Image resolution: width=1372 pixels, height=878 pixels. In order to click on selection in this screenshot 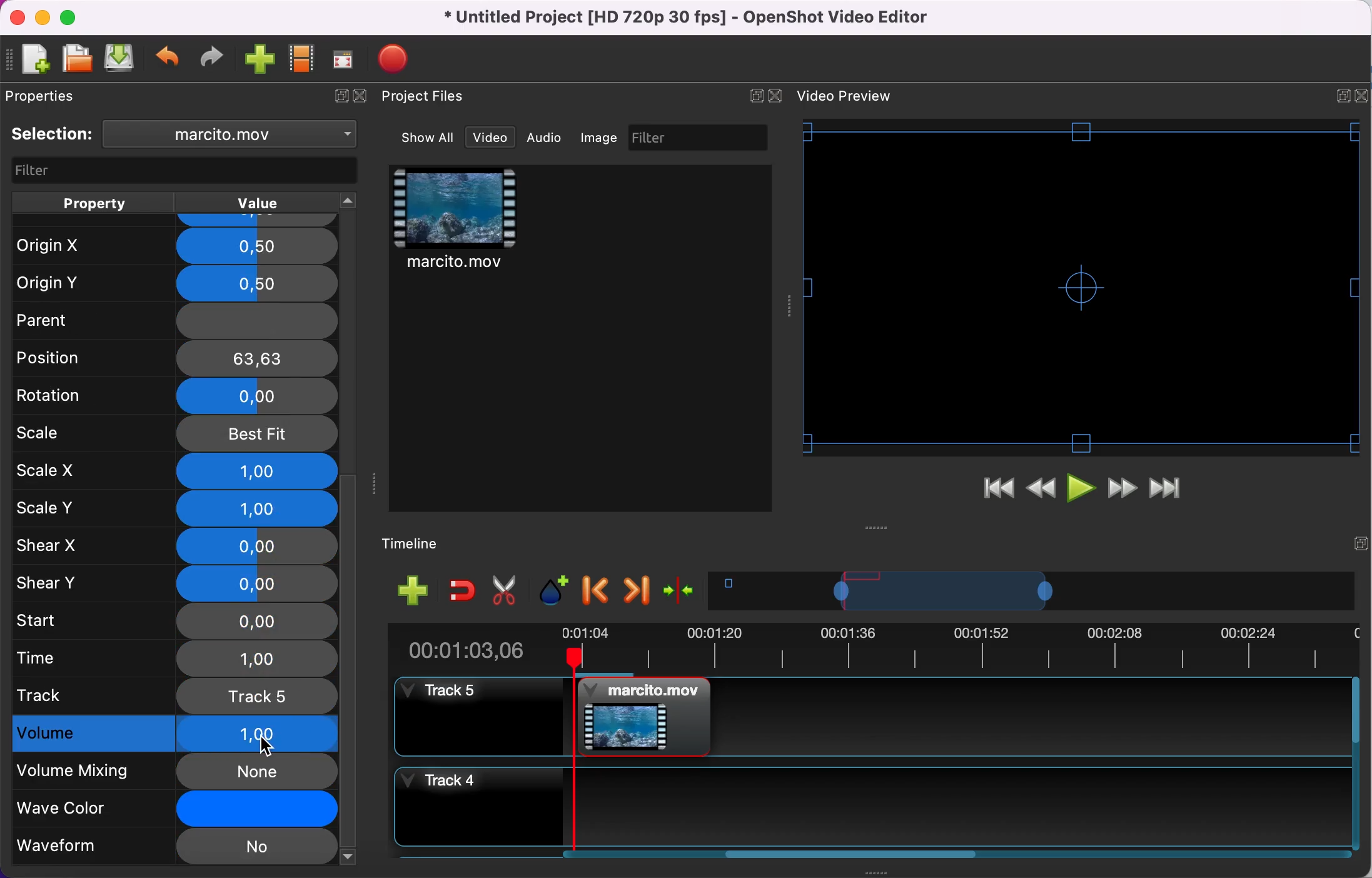, I will do `click(53, 134)`.